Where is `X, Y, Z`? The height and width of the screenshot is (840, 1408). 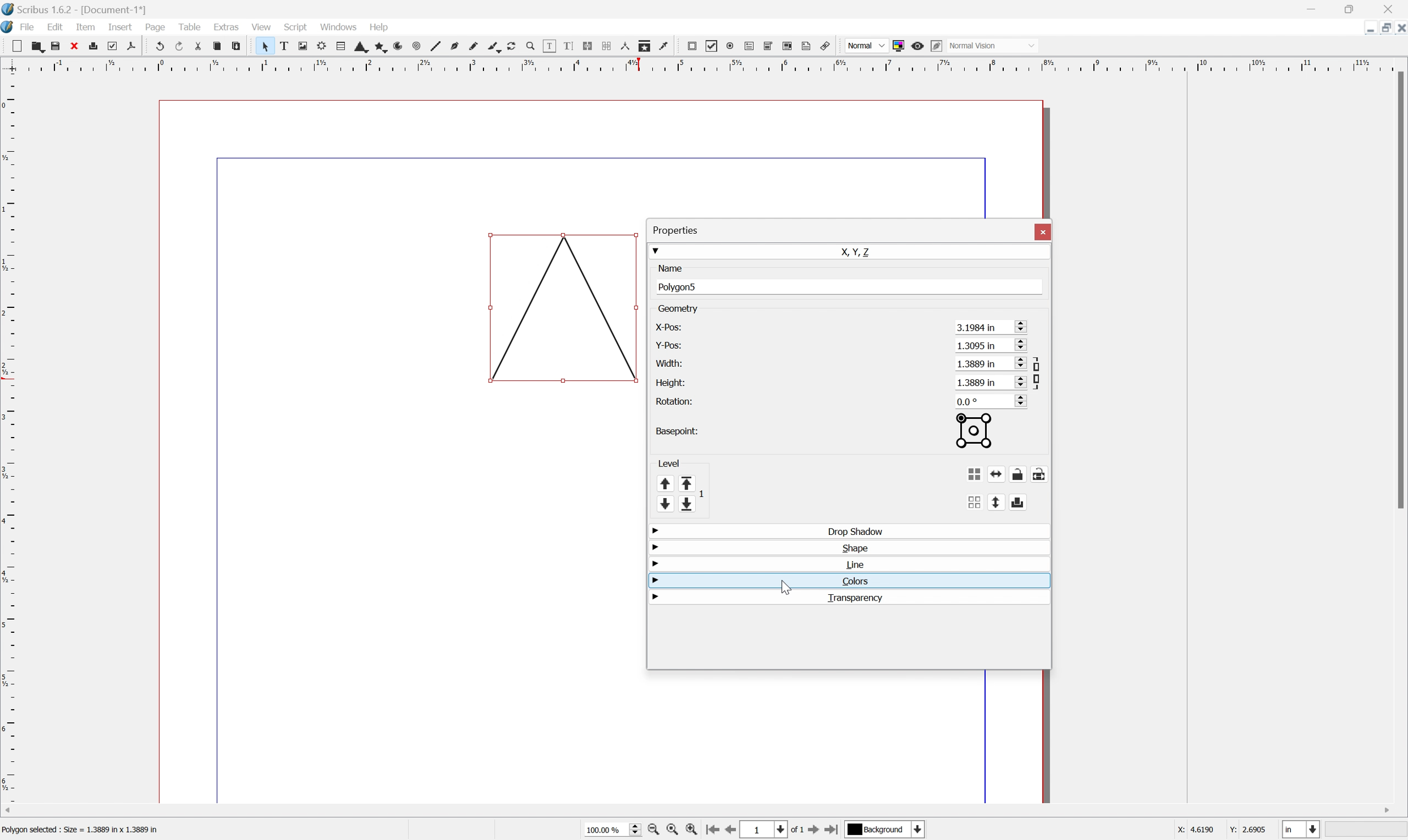
X, Y, Z is located at coordinates (859, 251).